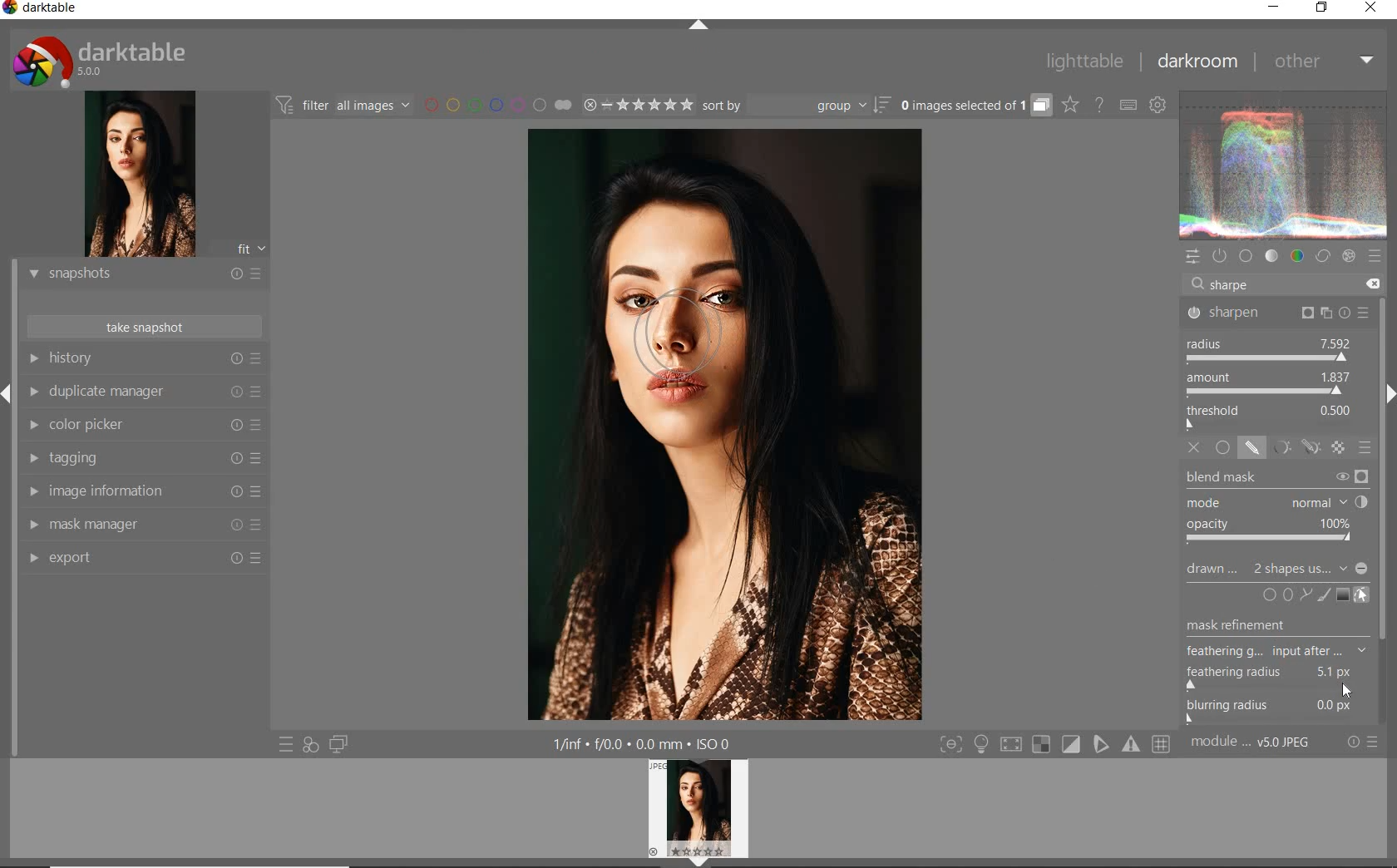 This screenshot has height=868, width=1397. What do you see at coordinates (1296, 257) in the screenshot?
I see `color` at bounding box center [1296, 257].